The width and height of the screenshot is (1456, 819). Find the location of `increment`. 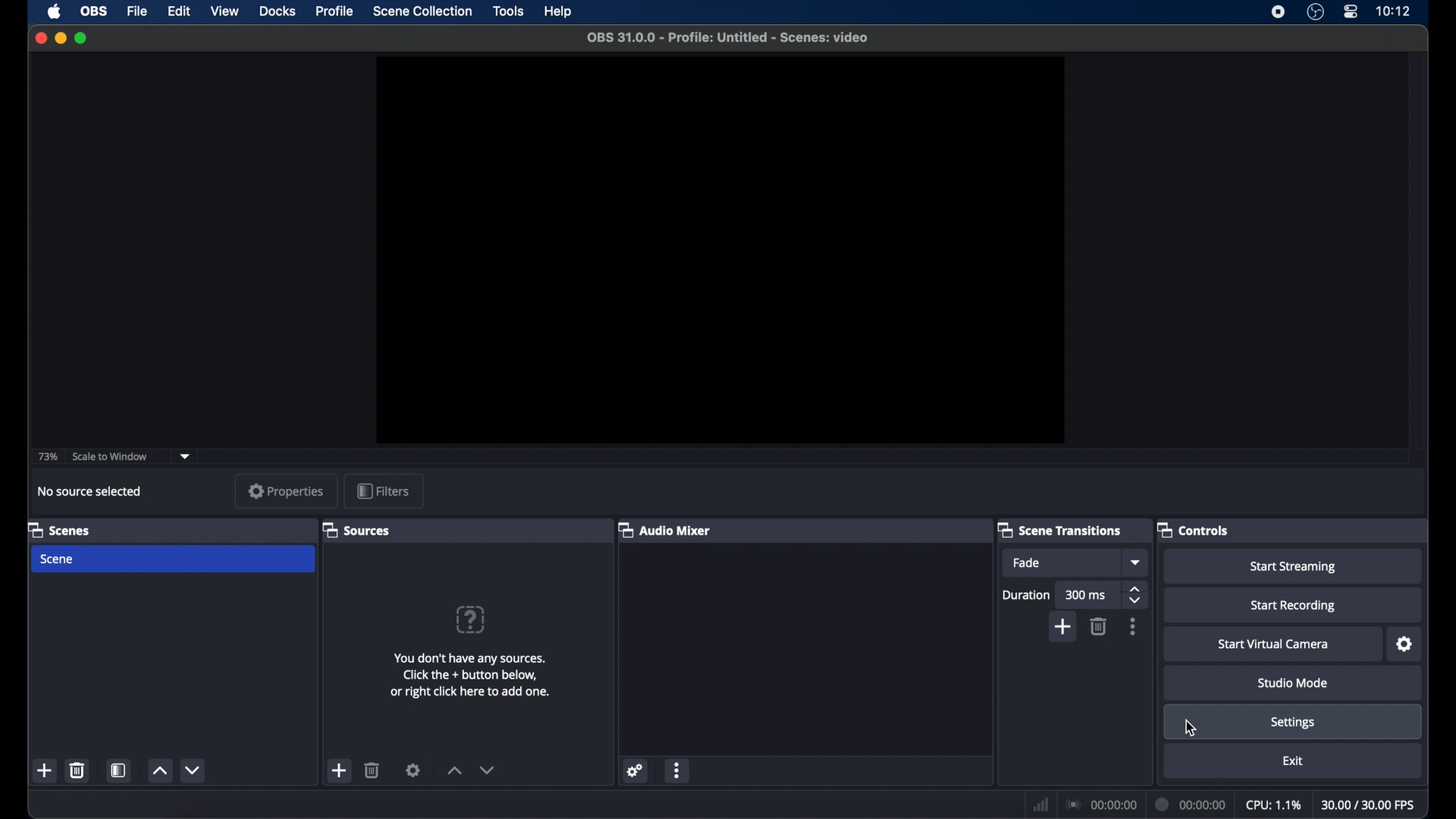

increment is located at coordinates (160, 772).